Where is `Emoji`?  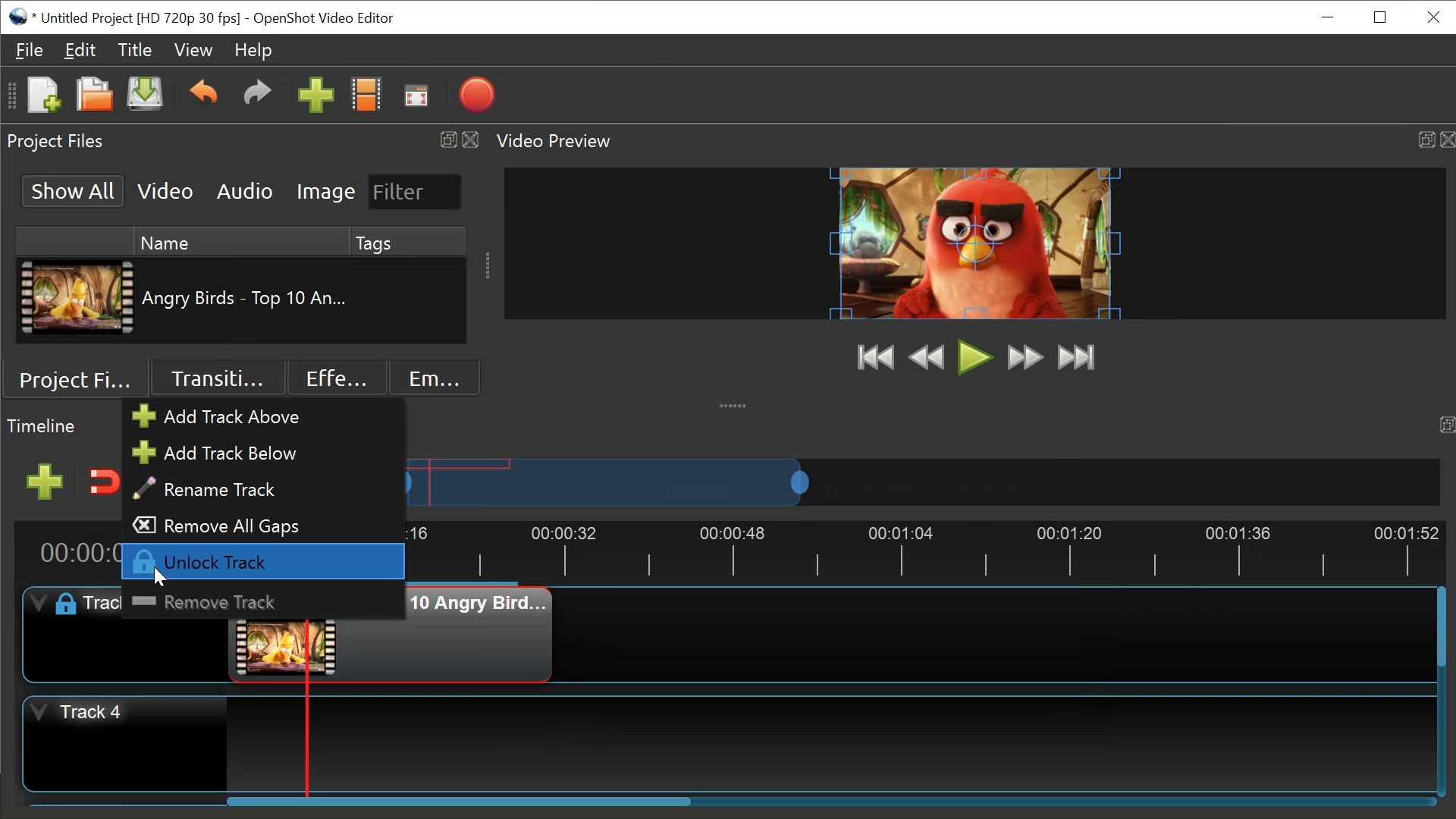 Emoji is located at coordinates (435, 377).